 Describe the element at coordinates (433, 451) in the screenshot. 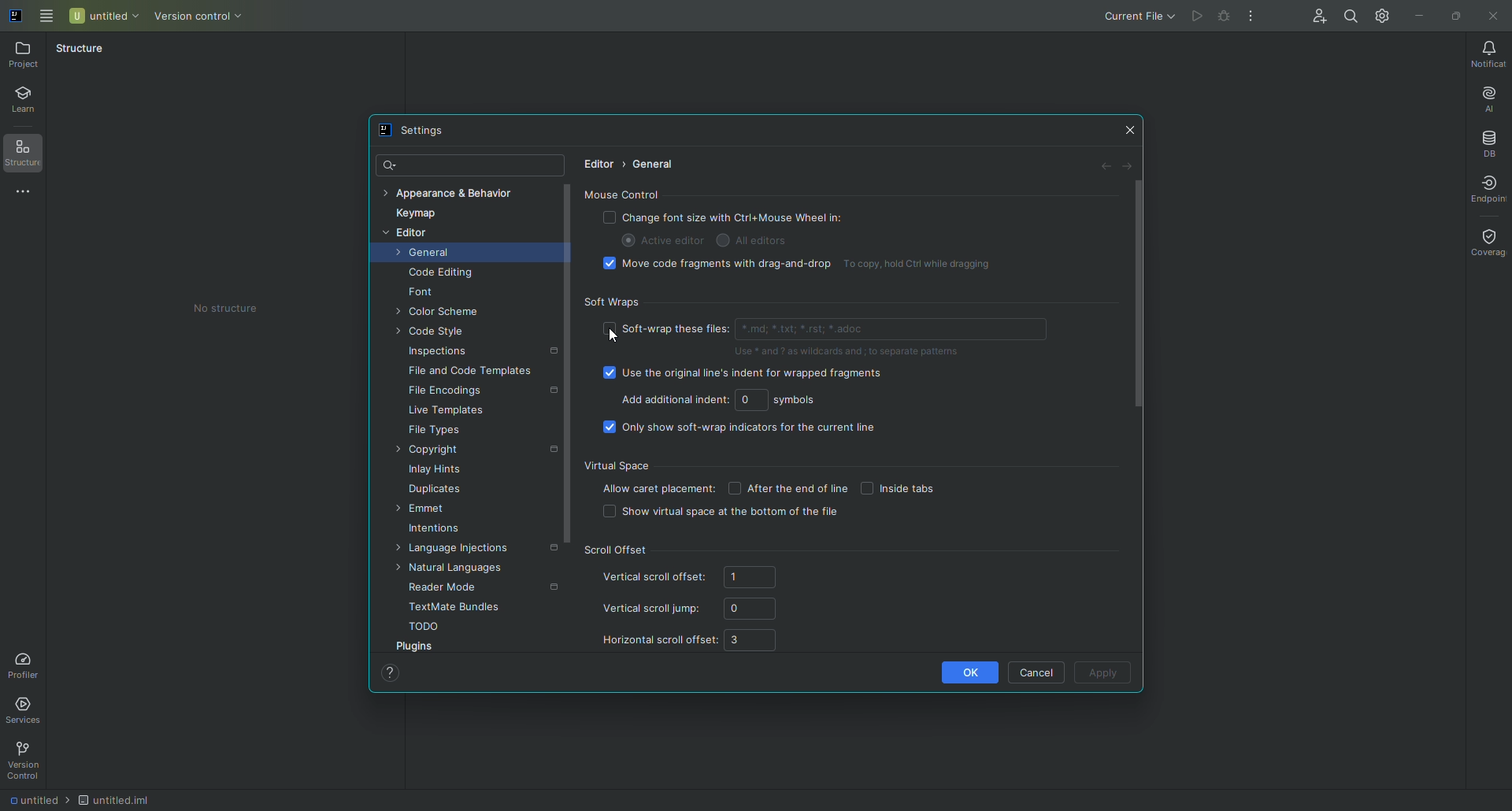

I see `Copyright` at that location.